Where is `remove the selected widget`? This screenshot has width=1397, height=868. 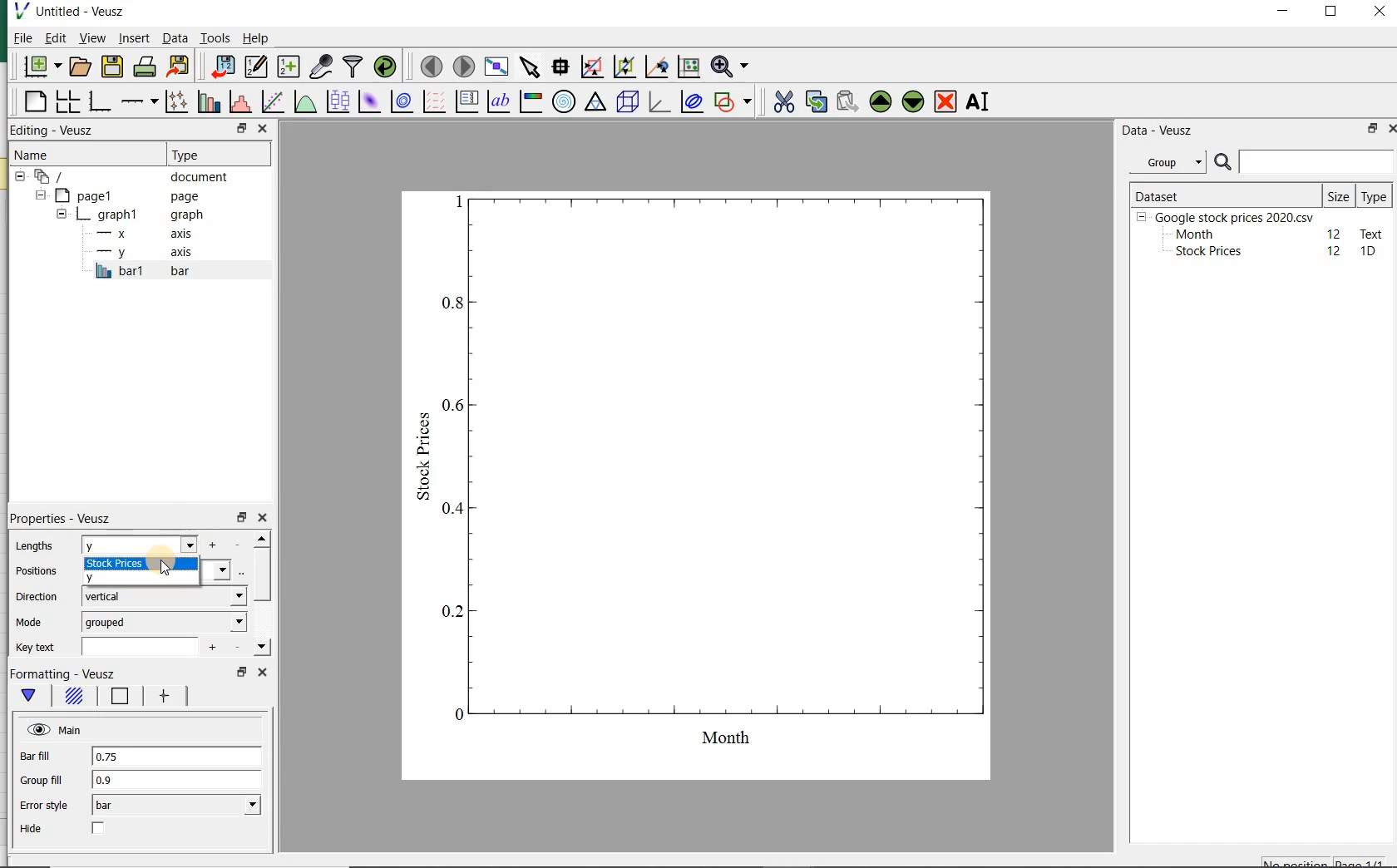
remove the selected widget is located at coordinates (946, 101).